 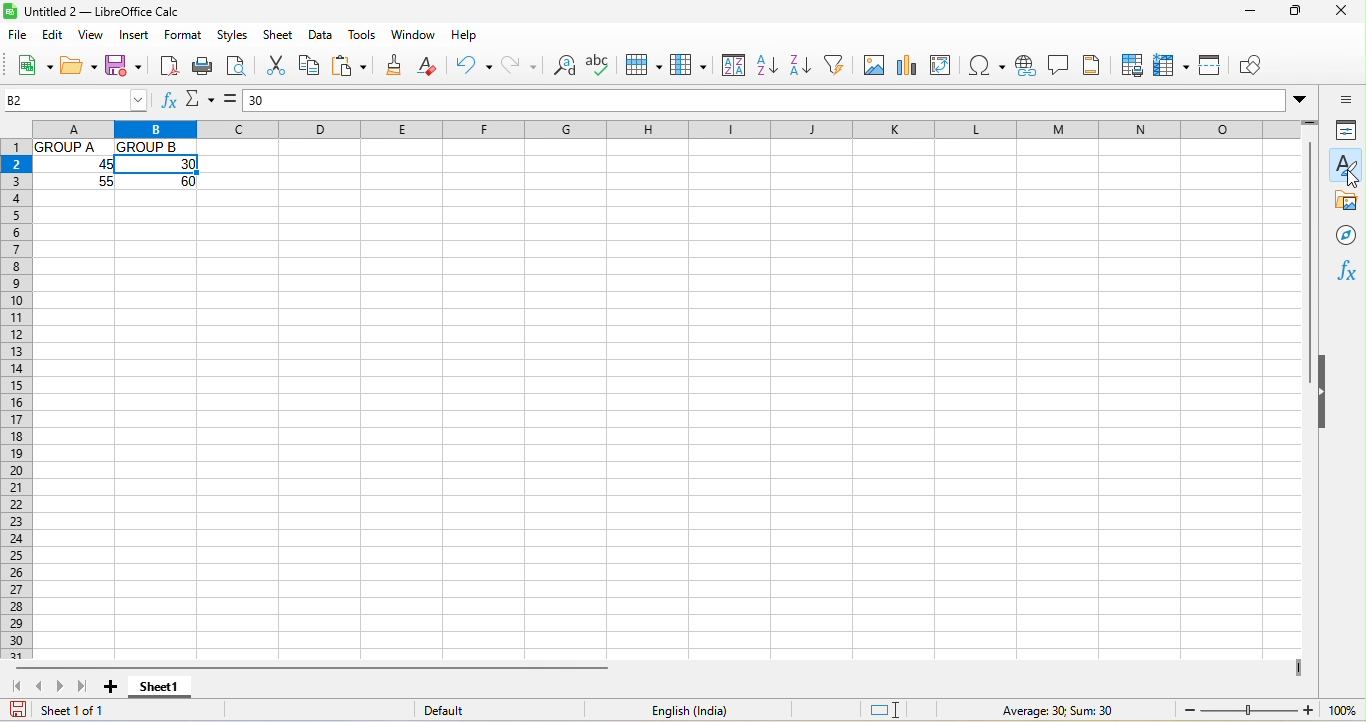 I want to click on Group B, so click(x=155, y=146).